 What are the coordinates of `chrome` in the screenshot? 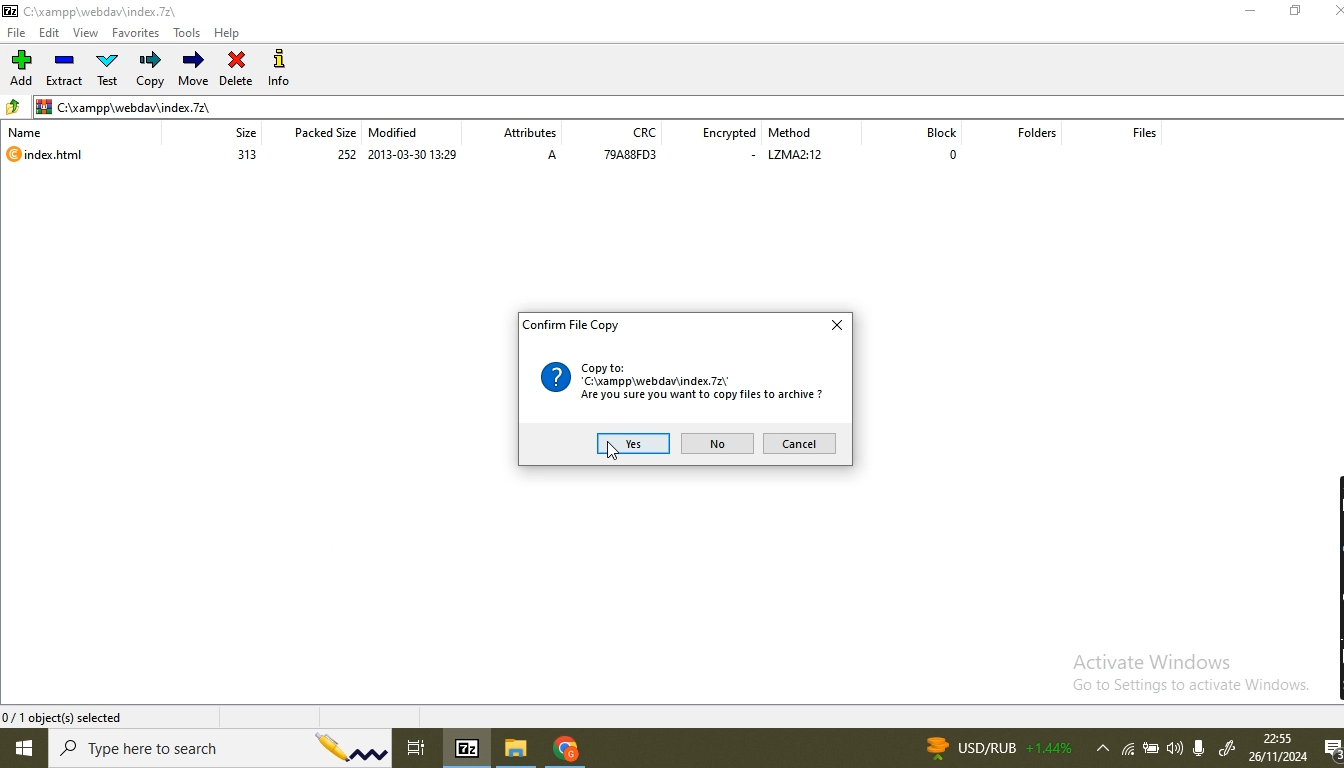 It's located at (565, 751).